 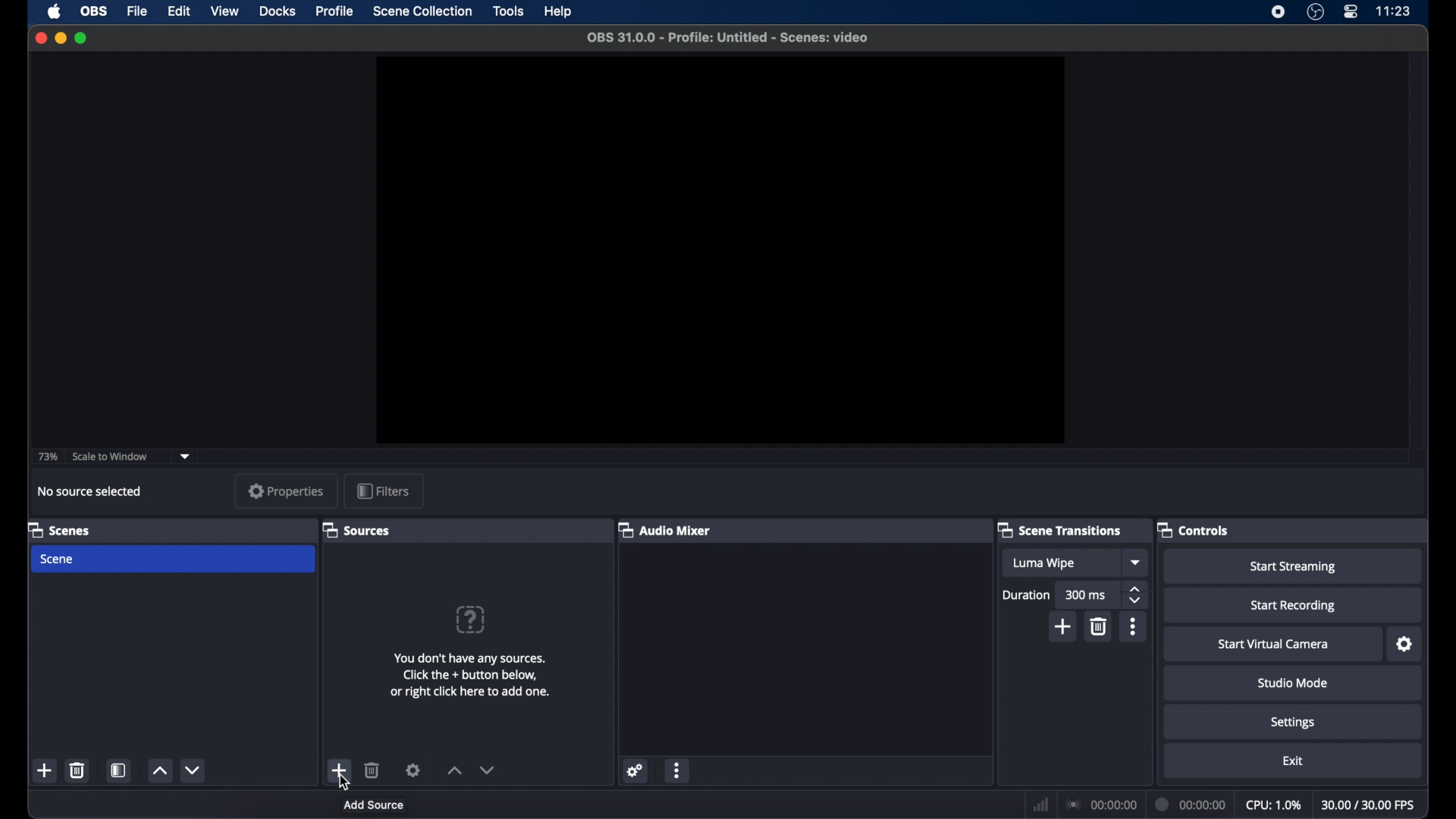 I want to click on file, so click(x=137, y=12).